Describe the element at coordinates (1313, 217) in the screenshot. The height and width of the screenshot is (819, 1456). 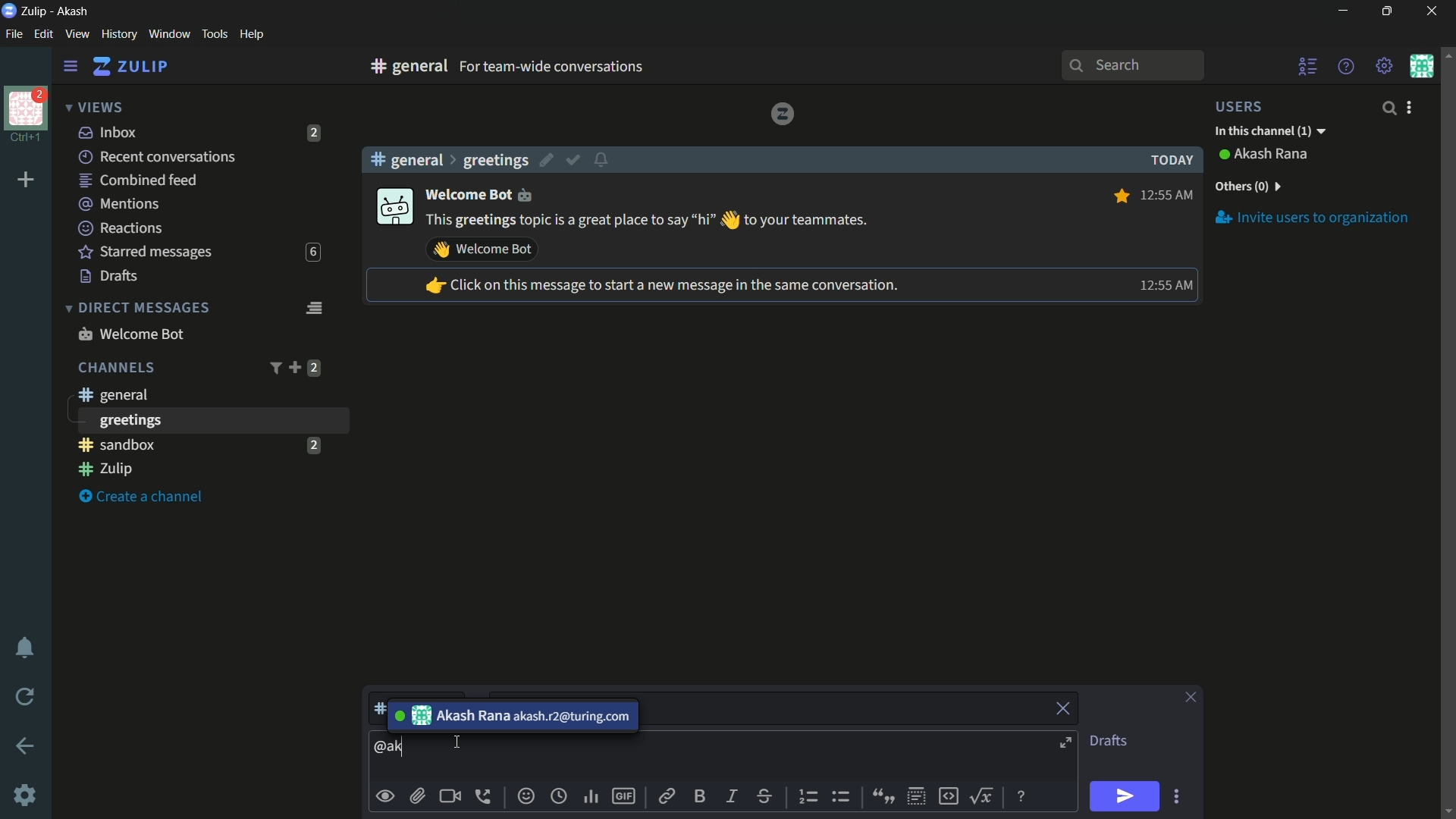
I see `invite users to organization` at that location.